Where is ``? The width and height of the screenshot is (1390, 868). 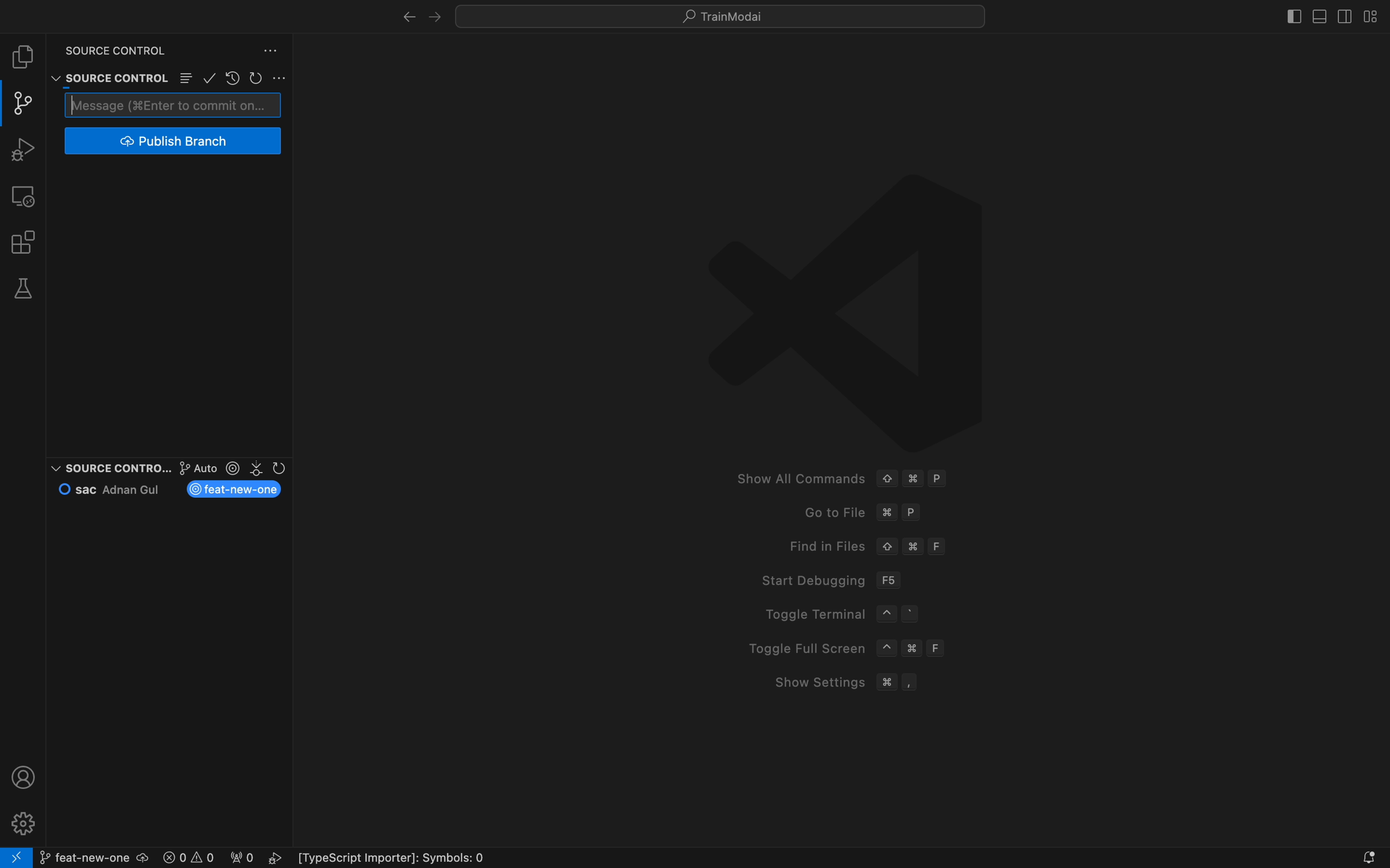
 is located at coordinates (186, 79).